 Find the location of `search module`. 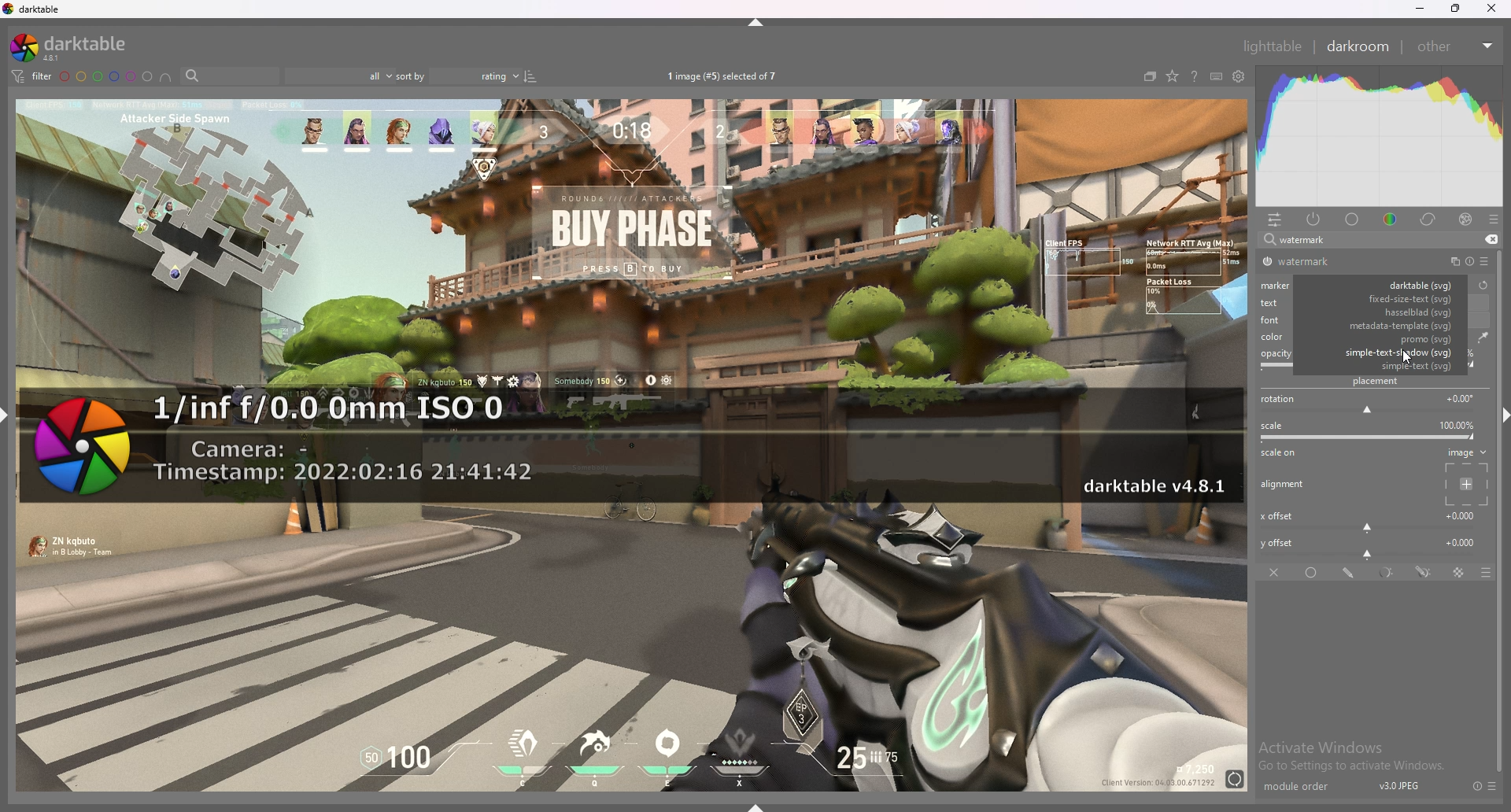

search module is located at coordinates (1359, 241).